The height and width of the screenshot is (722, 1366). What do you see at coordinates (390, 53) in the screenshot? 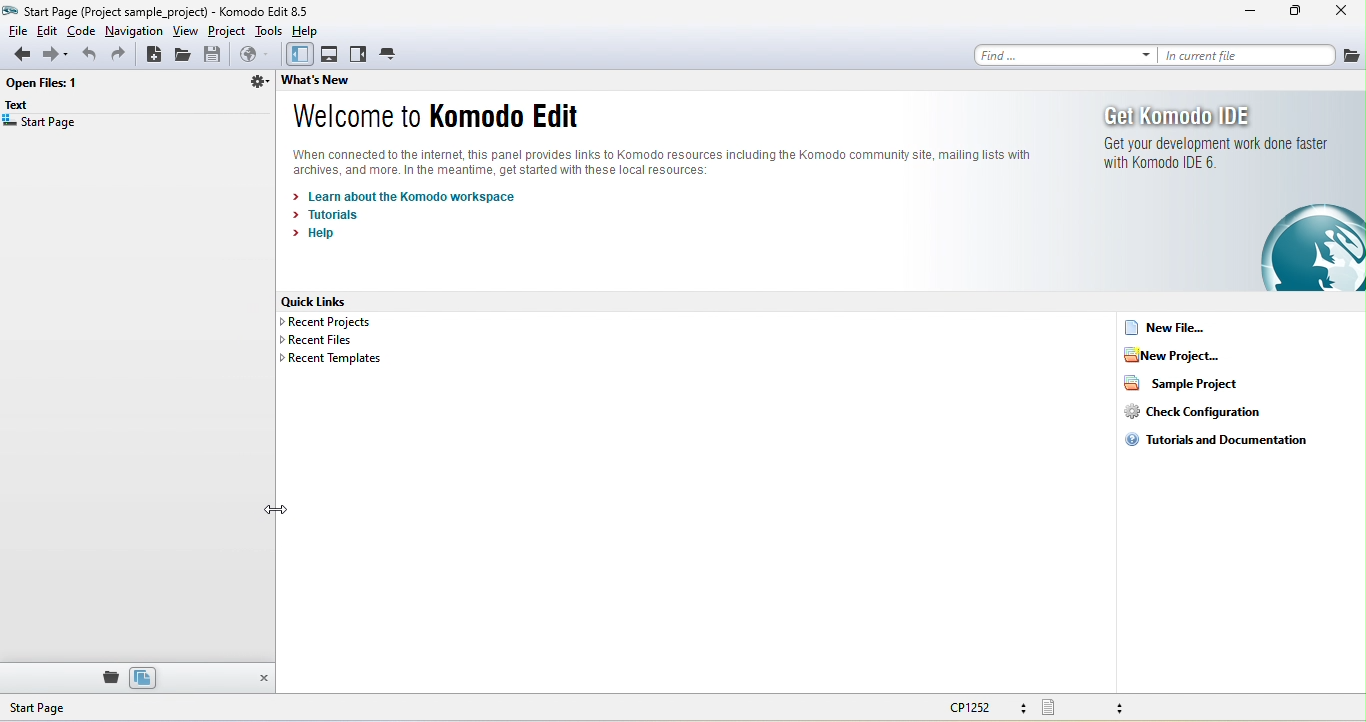
I see `tab` at bounding box center [390, 53].